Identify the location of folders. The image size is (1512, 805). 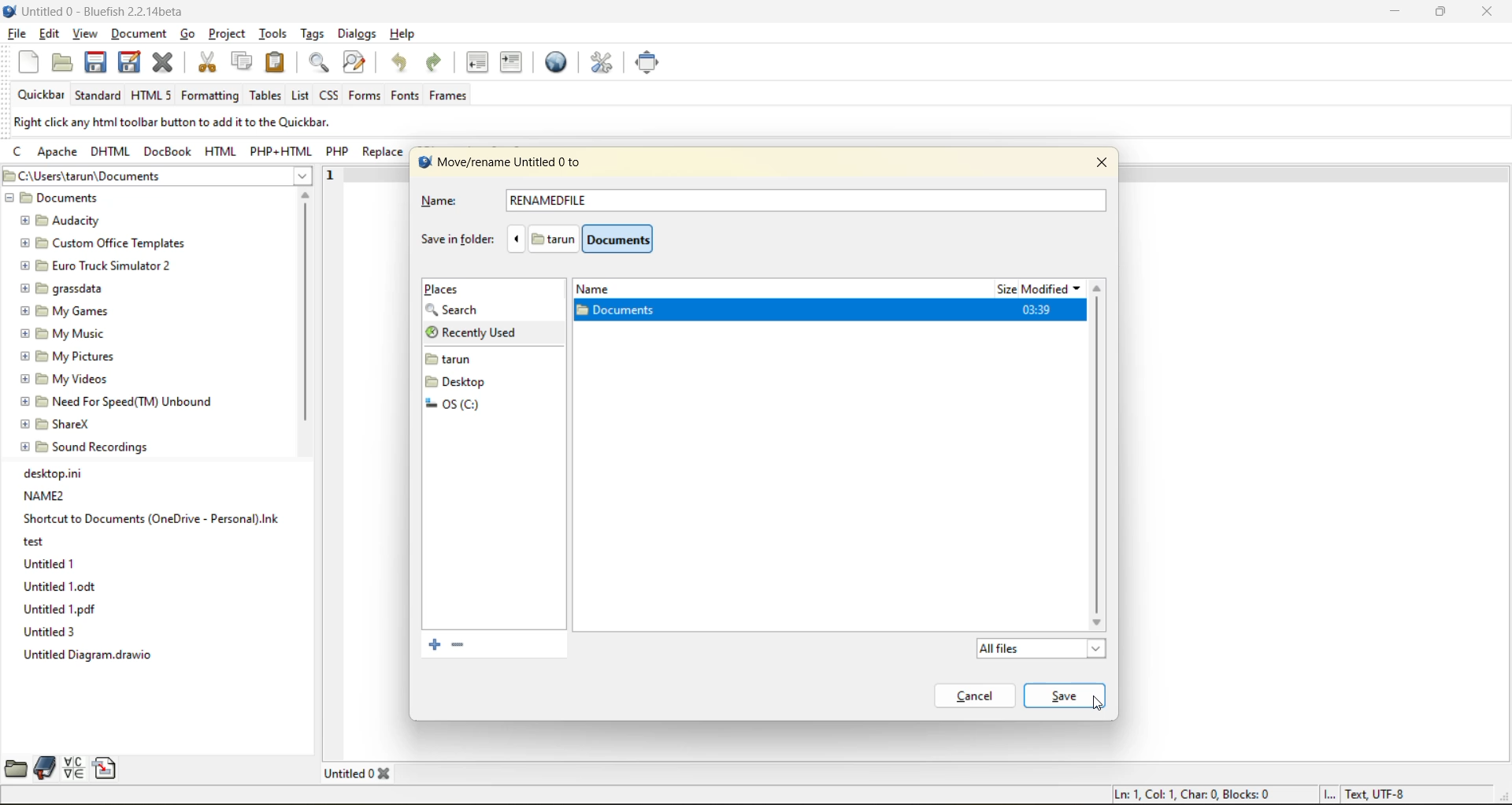
(465, 380).